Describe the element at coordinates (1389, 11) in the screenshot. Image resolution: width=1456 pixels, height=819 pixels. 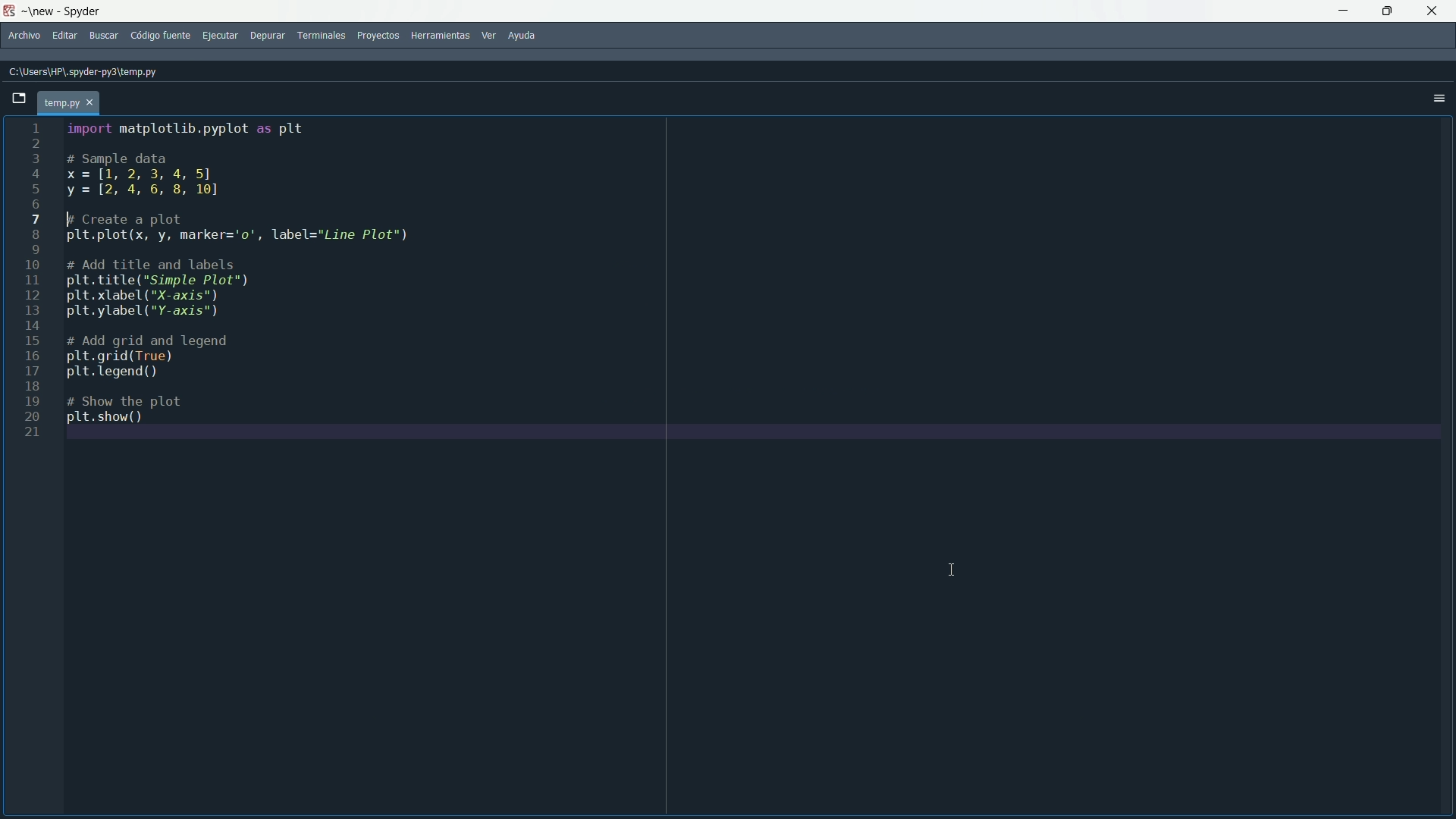
I see `maximize` at that location.